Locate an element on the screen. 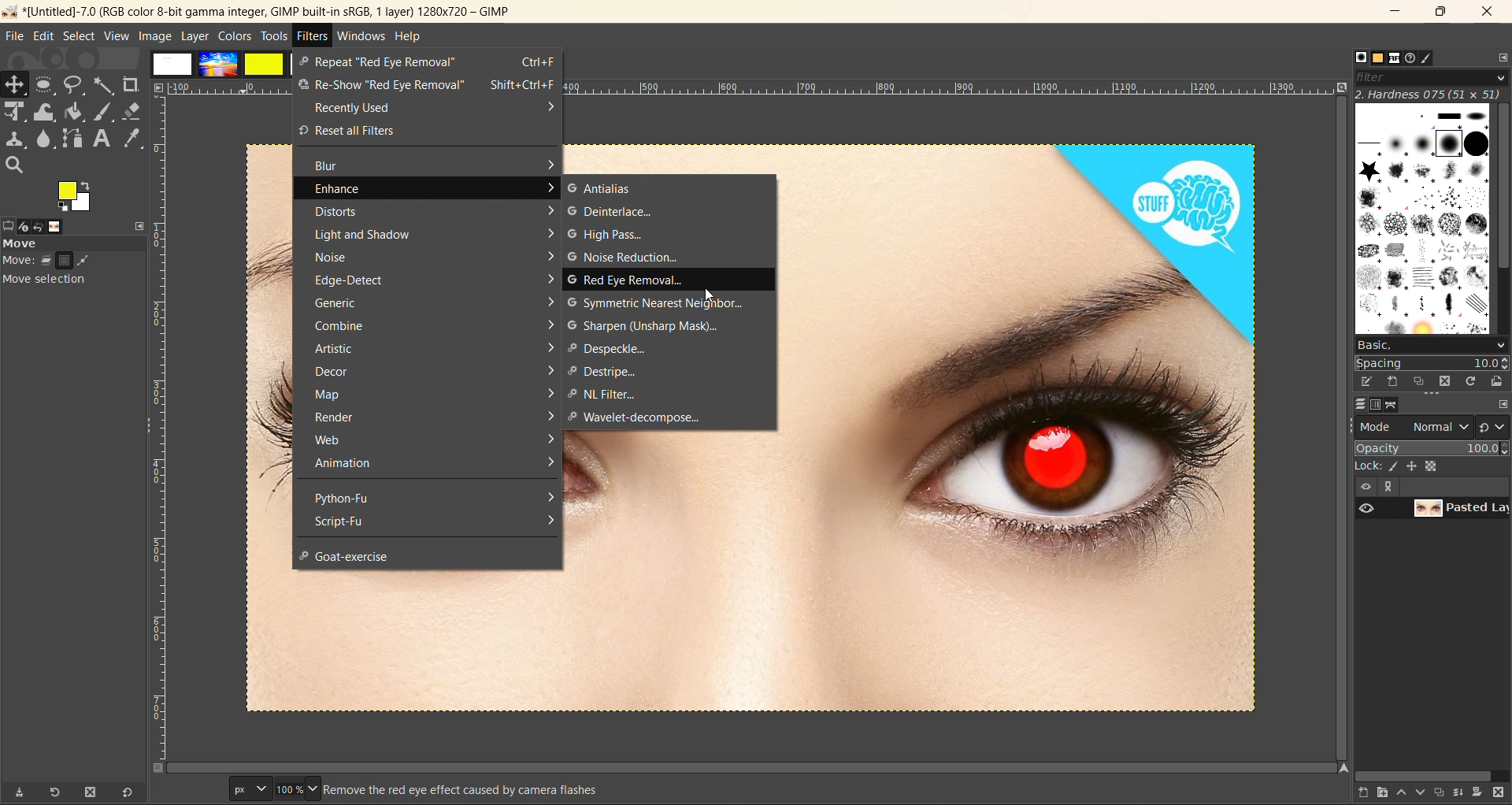 The height and width of the screenshot is (805, 1512). lower this layer is located at coordinates (1417, 796).